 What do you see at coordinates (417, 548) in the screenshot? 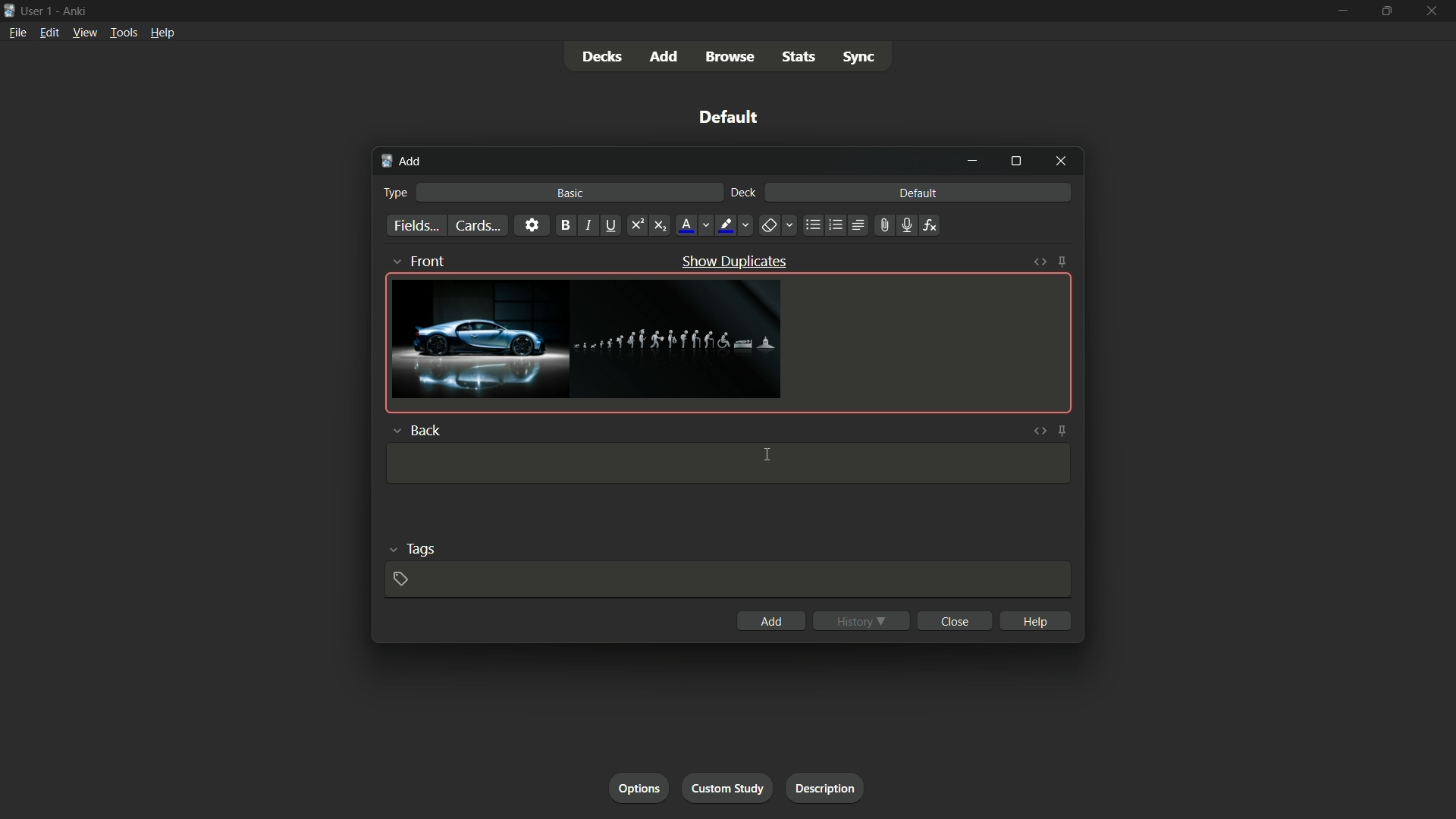
I see `tags` at bounding box center [417, 548].